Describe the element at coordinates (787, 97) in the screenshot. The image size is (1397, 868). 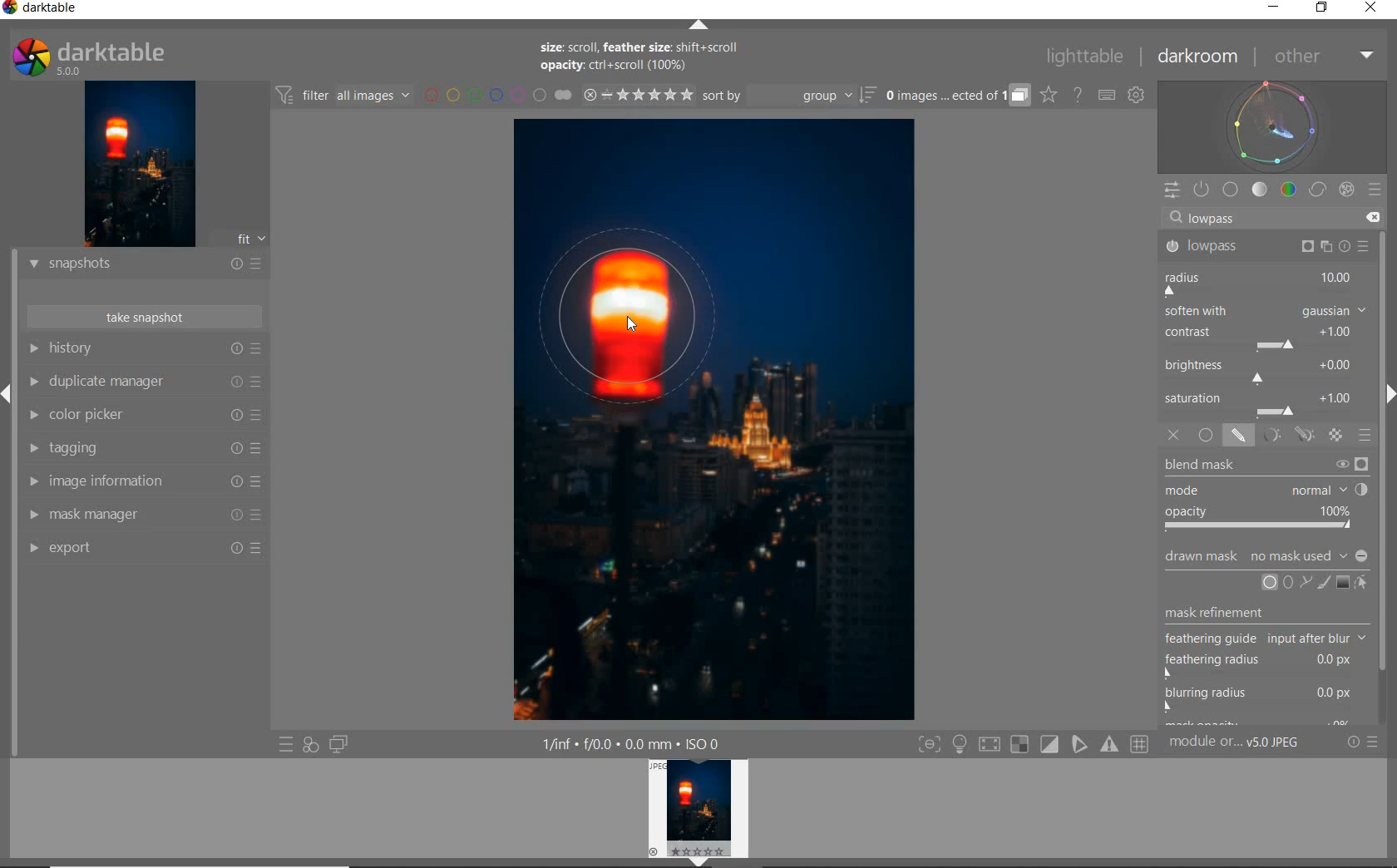
I see `SORT` at that location.